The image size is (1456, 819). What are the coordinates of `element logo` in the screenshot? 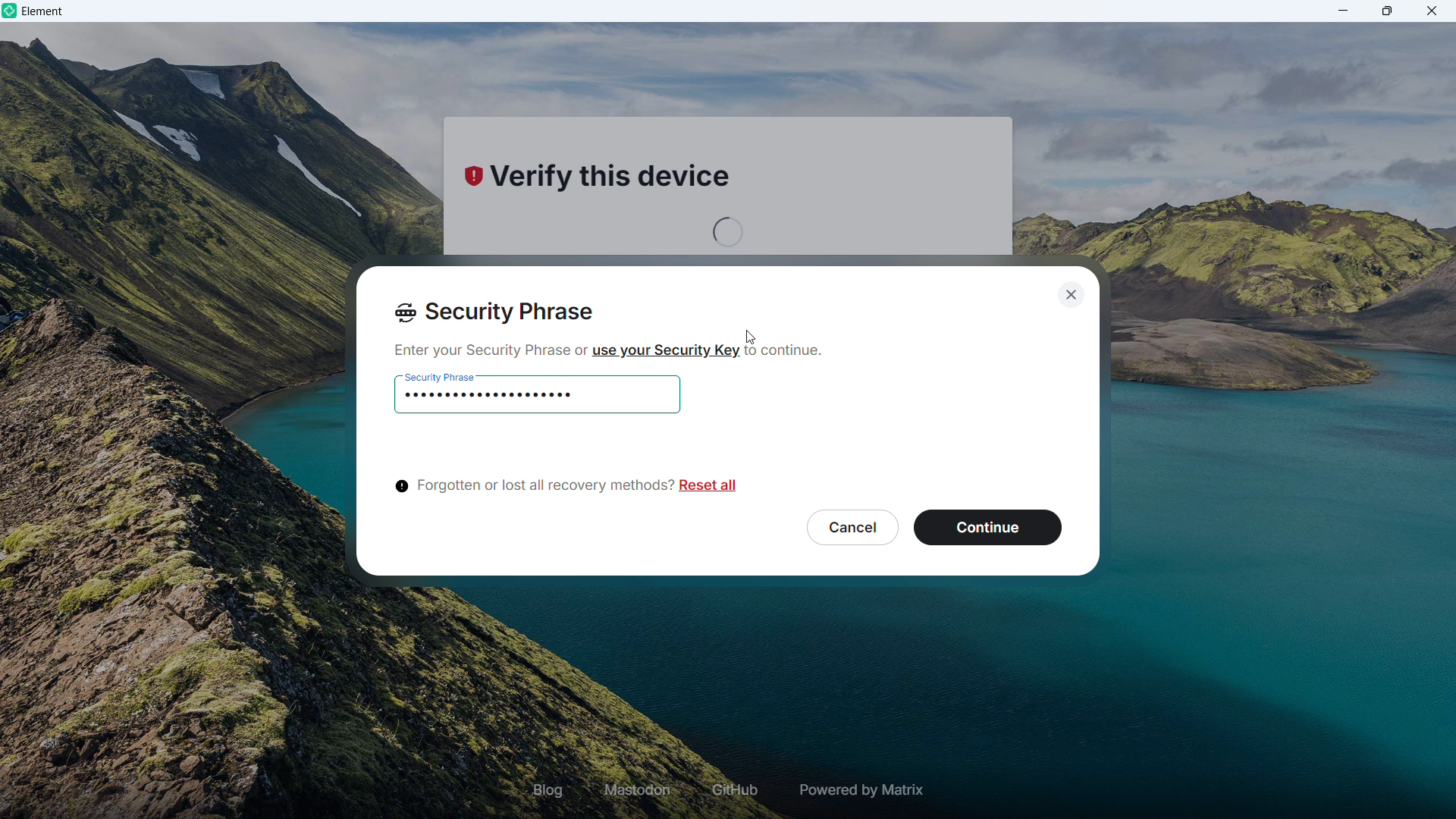 It's located at (11, 11).